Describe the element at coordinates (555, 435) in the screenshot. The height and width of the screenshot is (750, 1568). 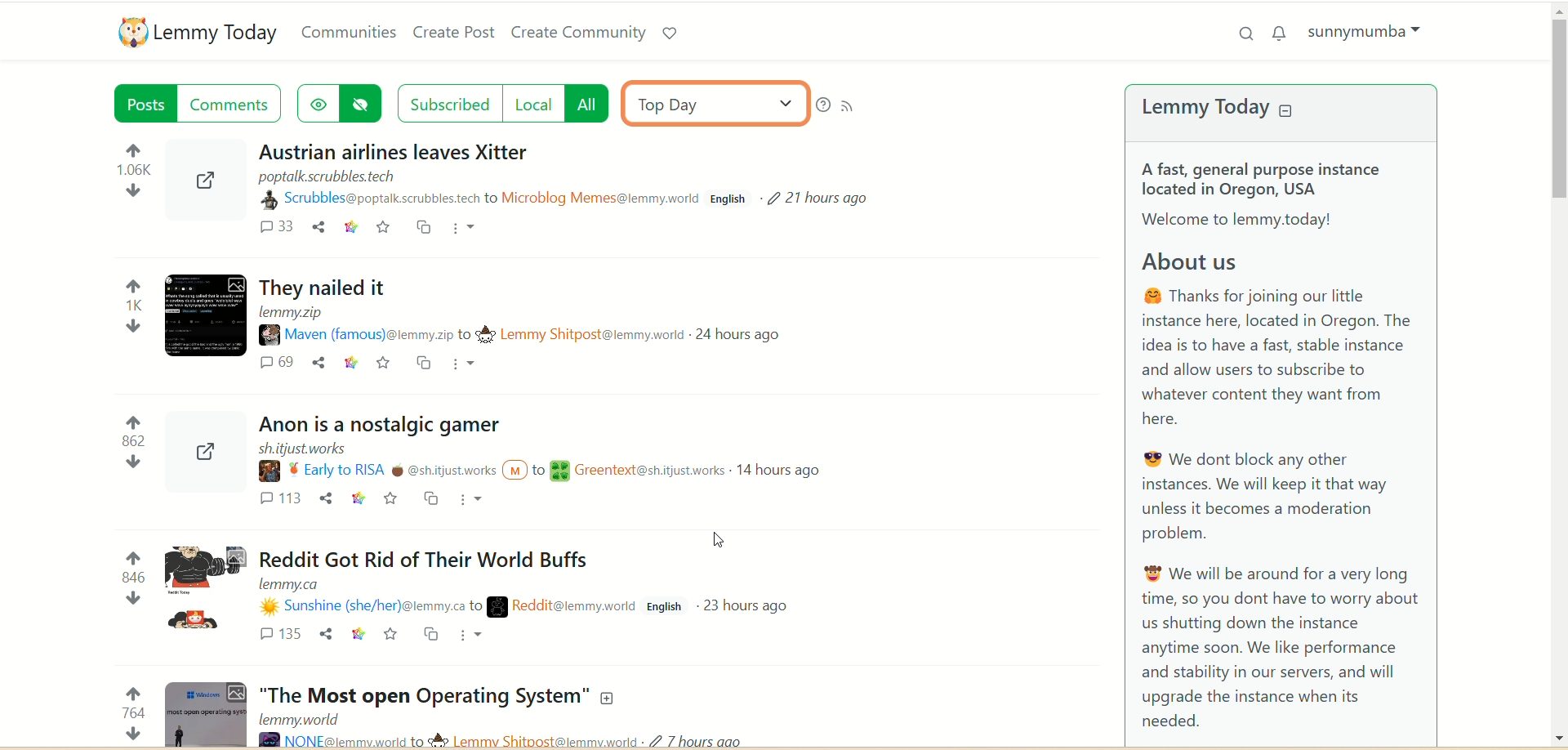
I see `Posts sorted based on Top Day` at that location.